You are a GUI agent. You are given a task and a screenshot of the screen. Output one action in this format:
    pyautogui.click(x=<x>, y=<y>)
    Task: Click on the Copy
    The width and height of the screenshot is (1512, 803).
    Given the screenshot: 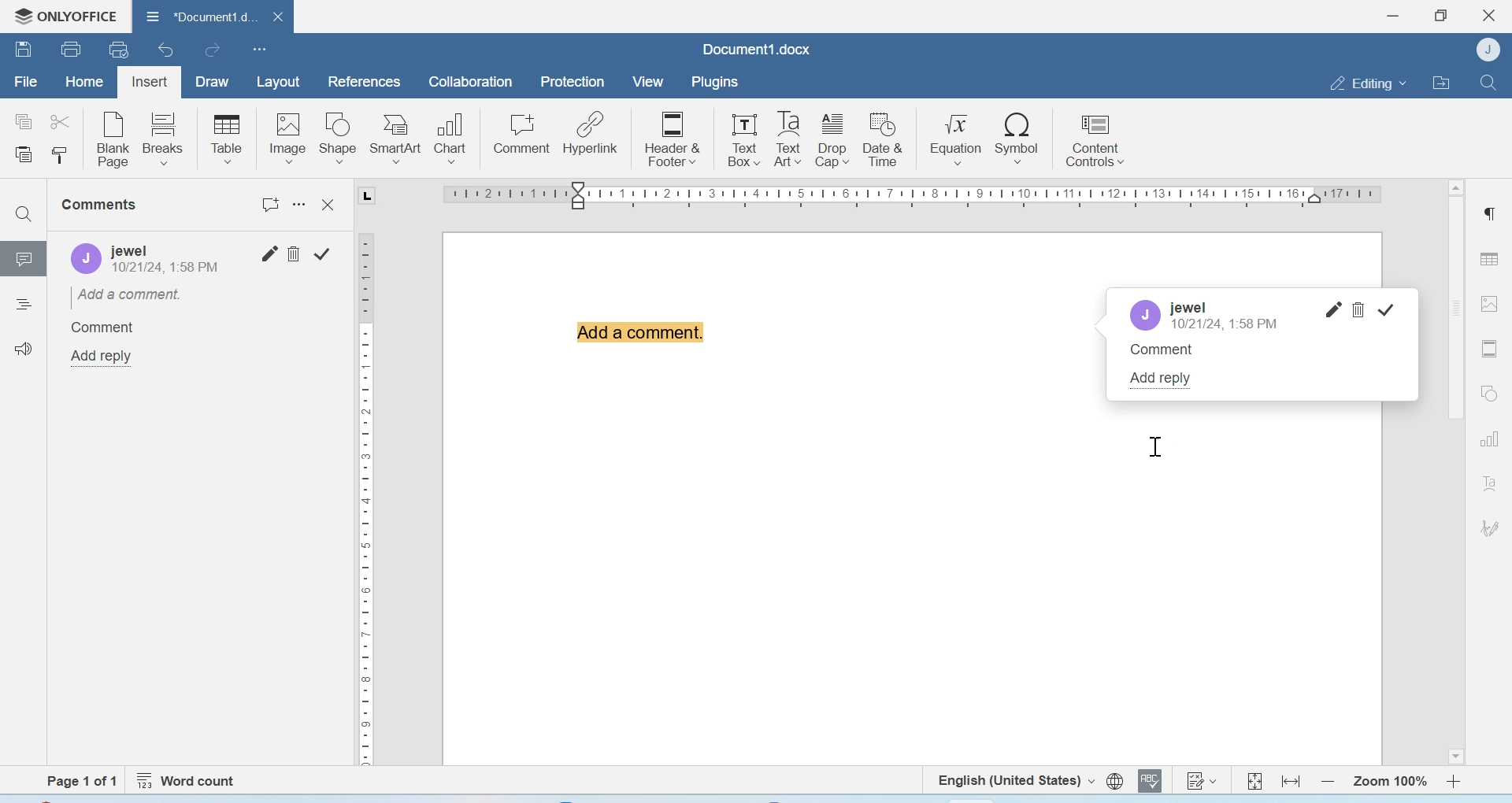 What is the action you would take?
    pyautogui.click(x=24, y=122)
    